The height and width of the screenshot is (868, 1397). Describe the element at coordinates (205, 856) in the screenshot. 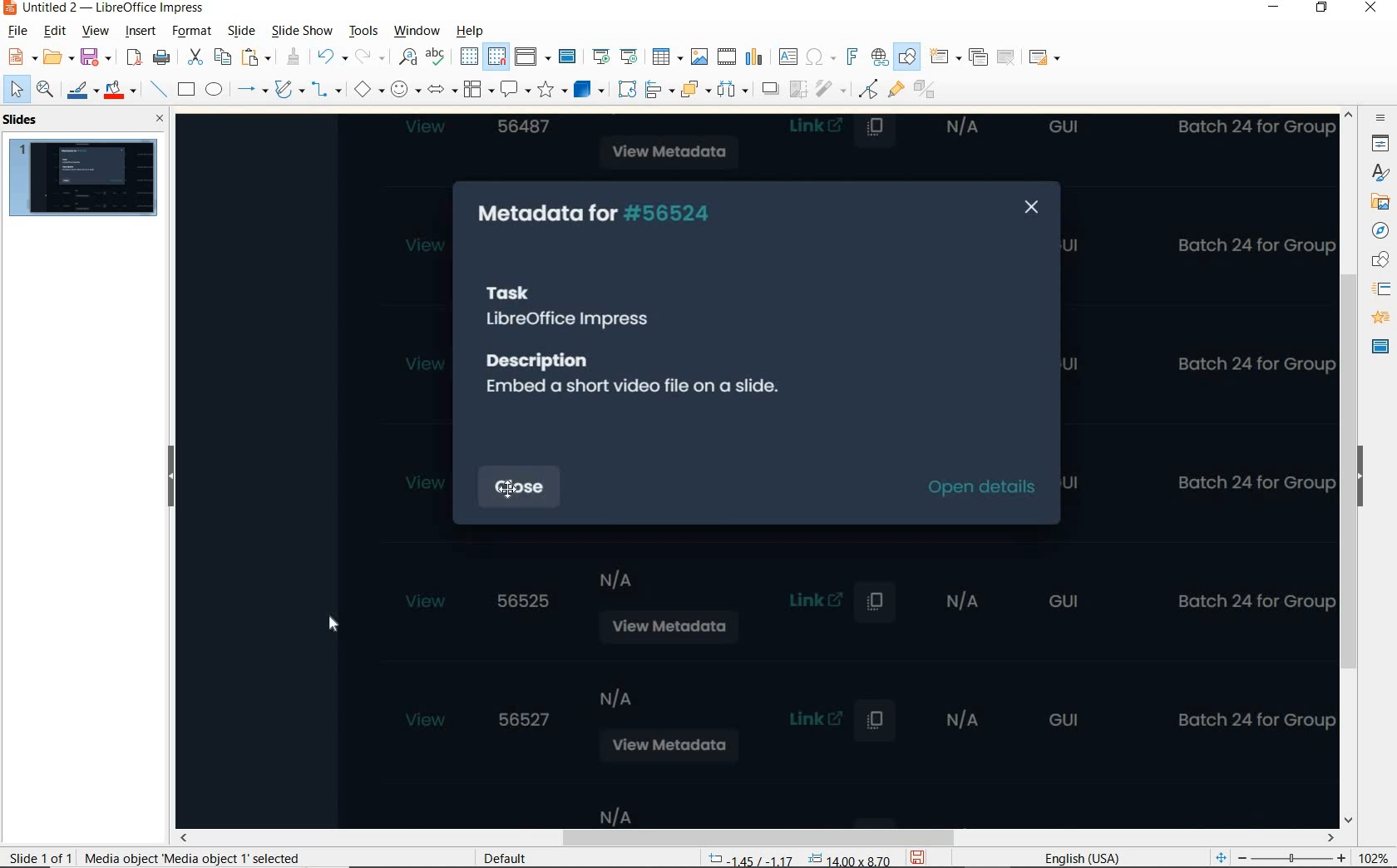

I see `selection info` at that location.